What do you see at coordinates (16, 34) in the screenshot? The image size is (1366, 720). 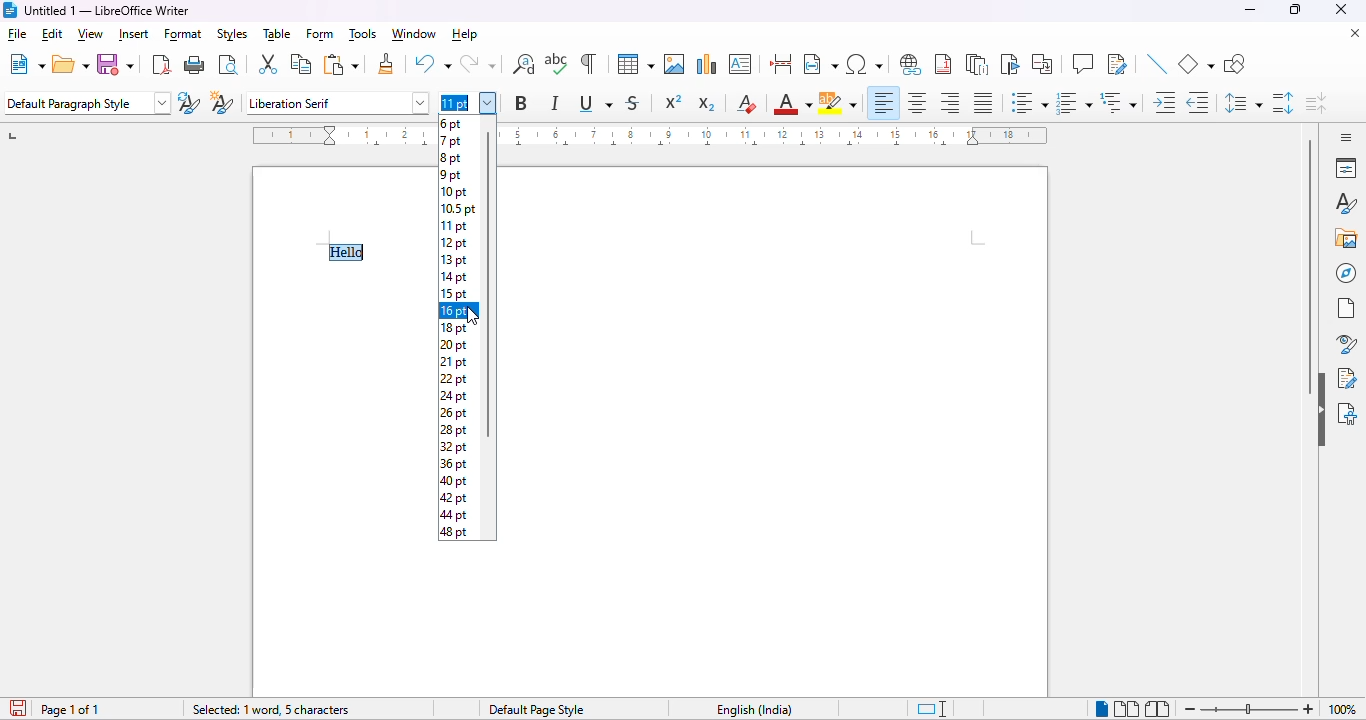 I see `file` at bounding box center [16, 34].